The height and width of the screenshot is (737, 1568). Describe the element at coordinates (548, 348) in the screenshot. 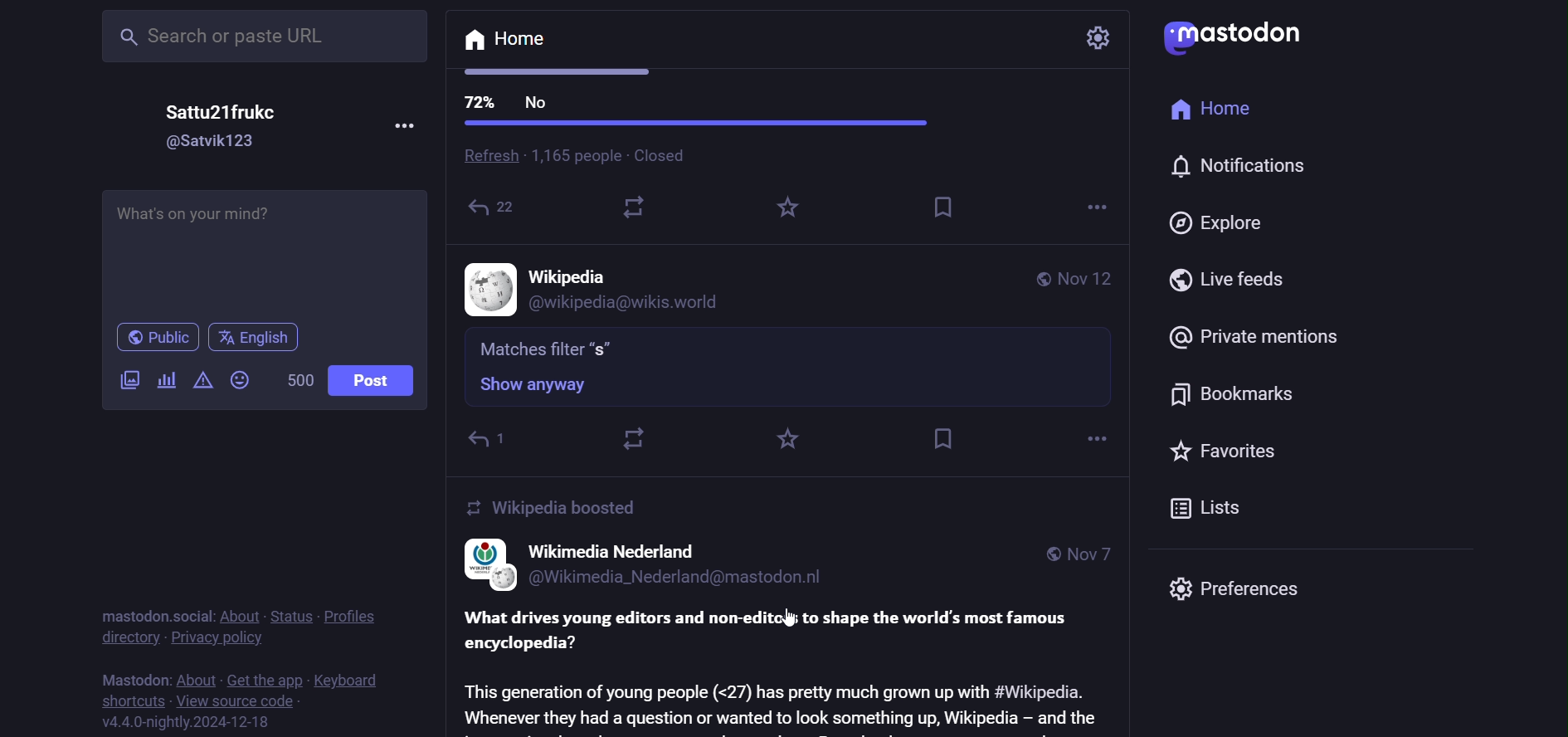

I see `Matches filter “s”` at that location.